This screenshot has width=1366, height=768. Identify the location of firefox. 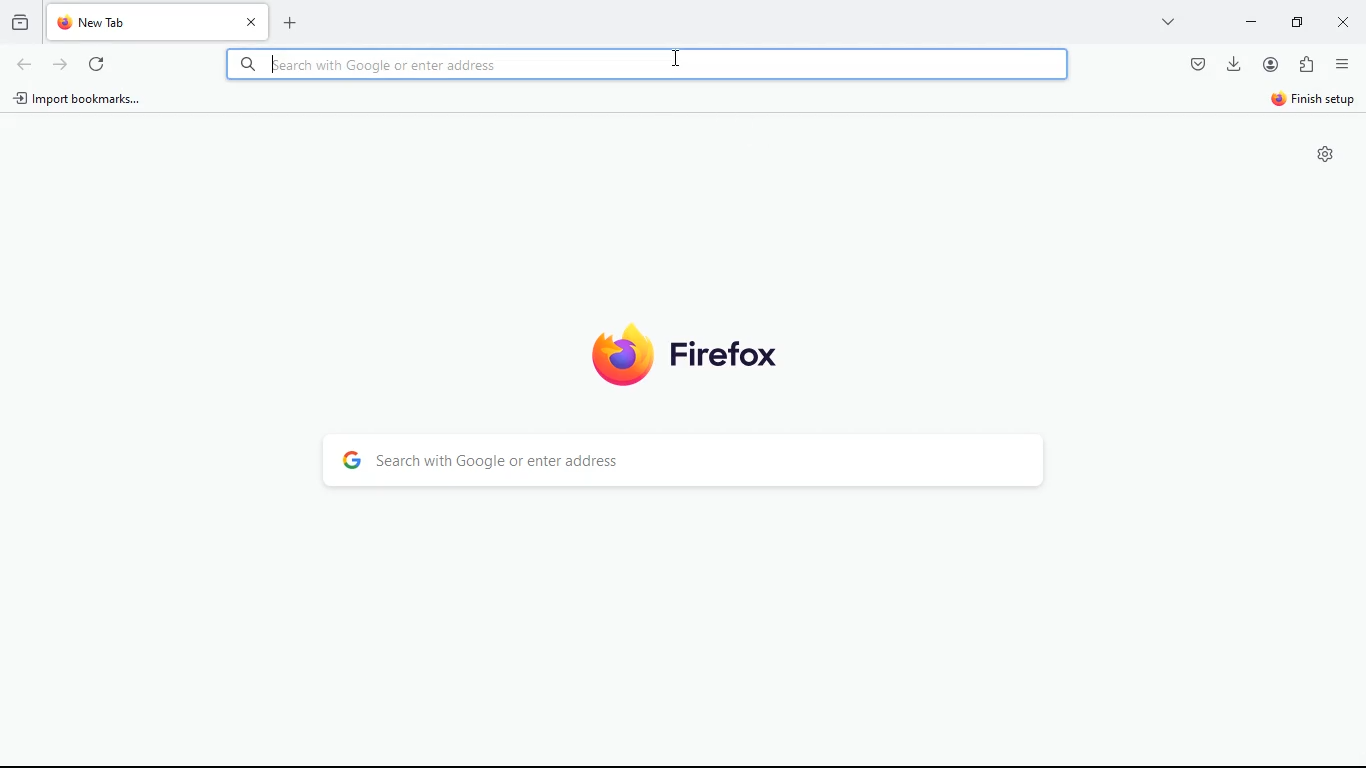
(684, 358).